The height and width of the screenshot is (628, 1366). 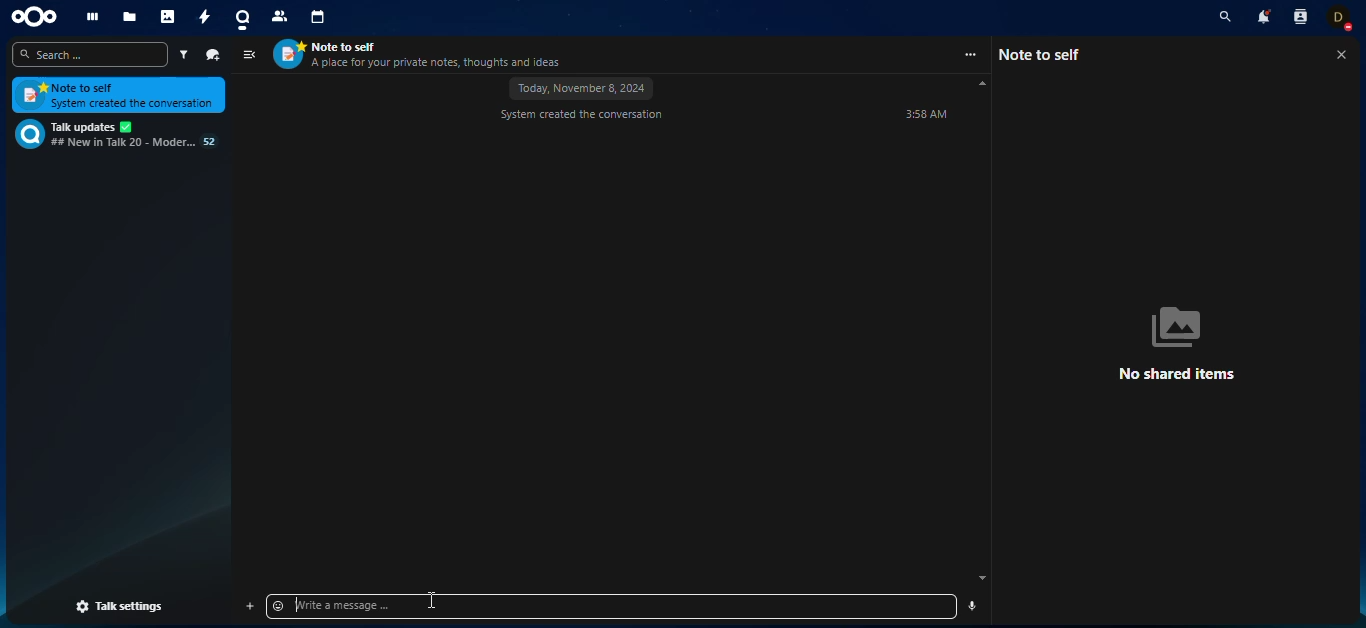 I want to click on files, so click(x=129, y=17).